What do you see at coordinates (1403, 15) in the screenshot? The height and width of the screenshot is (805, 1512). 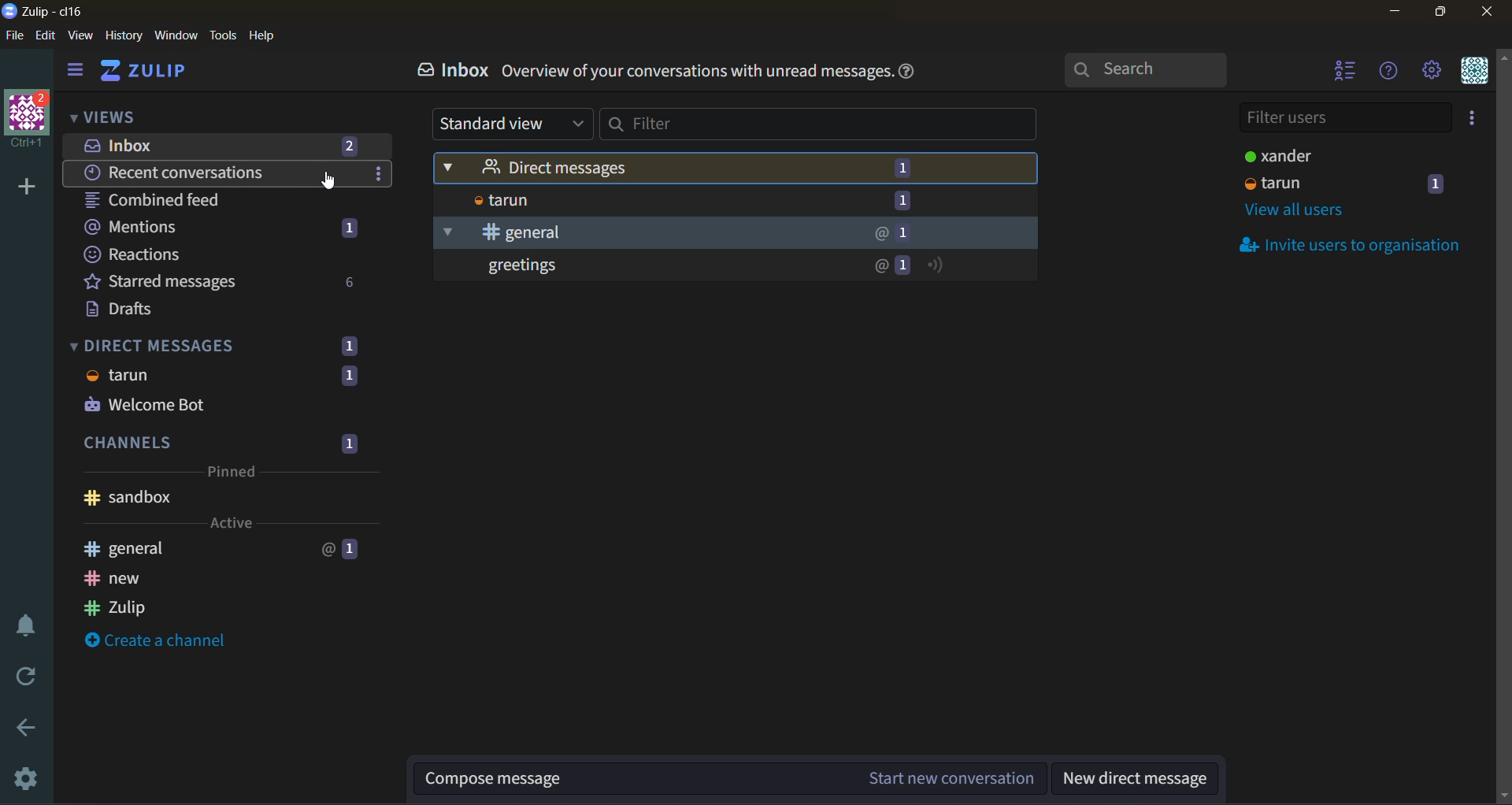 I see `minimize` at bounding box center [1403, 15].